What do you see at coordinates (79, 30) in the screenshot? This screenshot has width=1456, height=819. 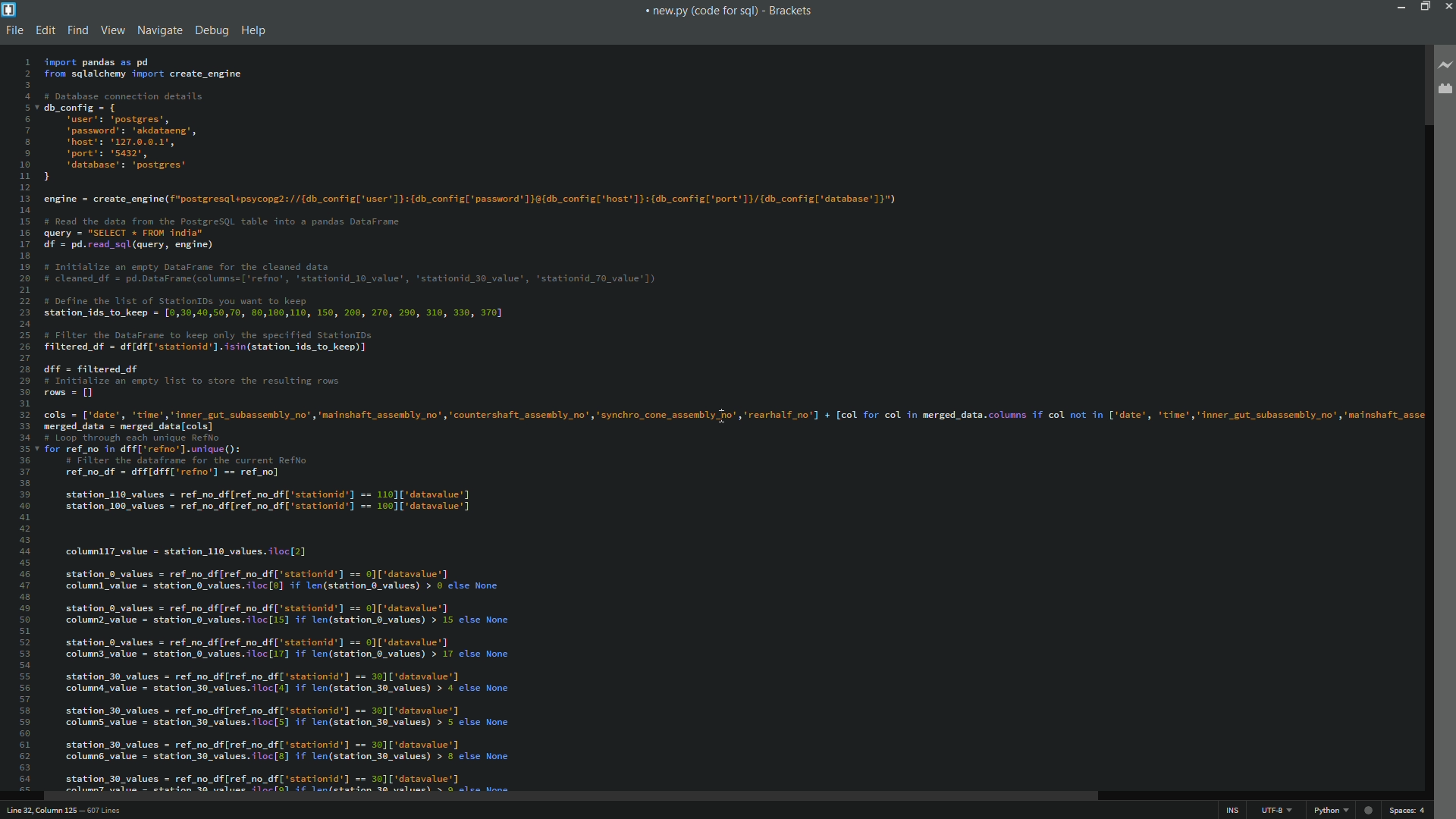 I see `find menu` at bounding box center [79, 30].